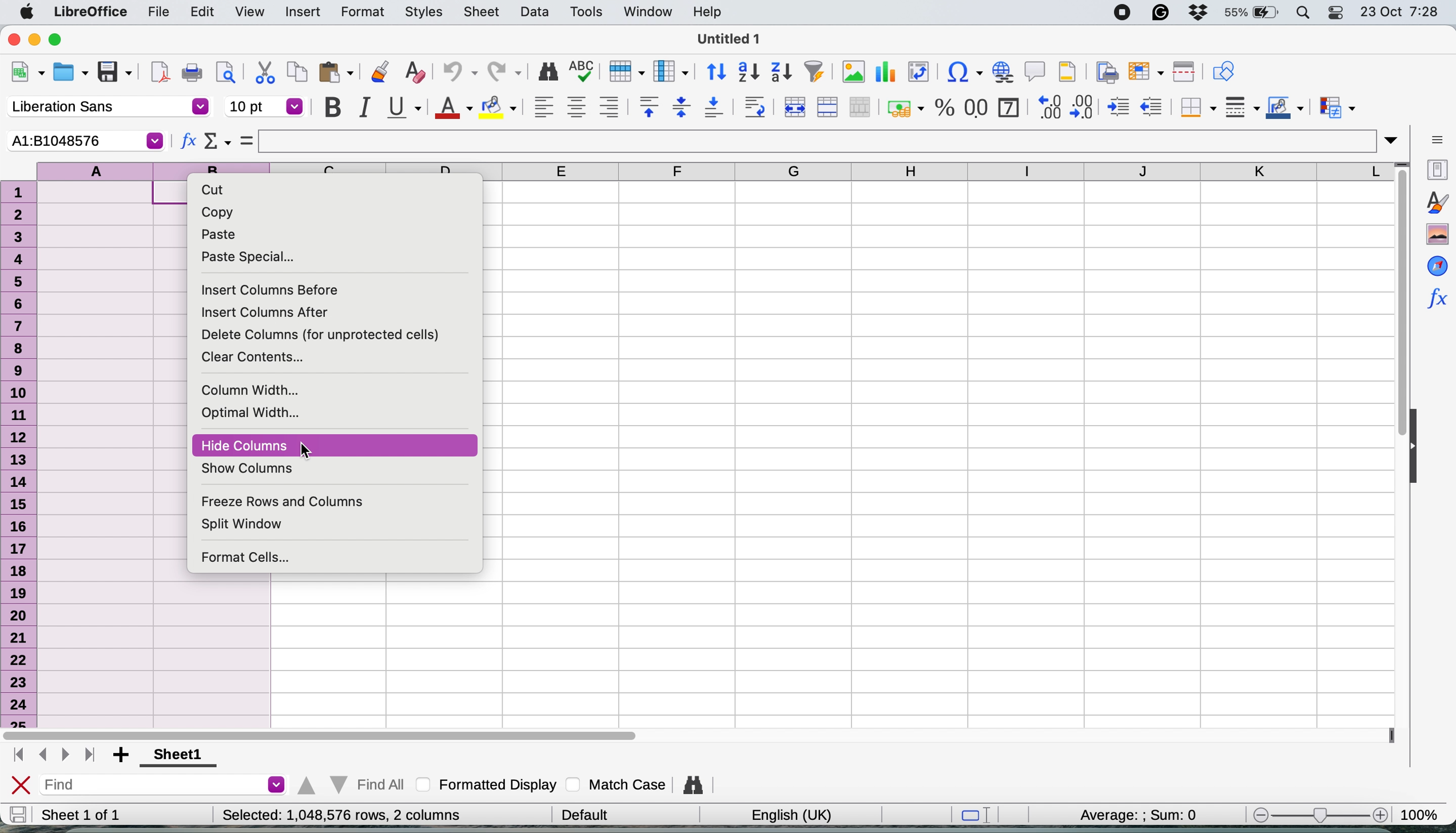 This screenshot has width=1456, height=833. I want to click on redo, so click(505, 71).